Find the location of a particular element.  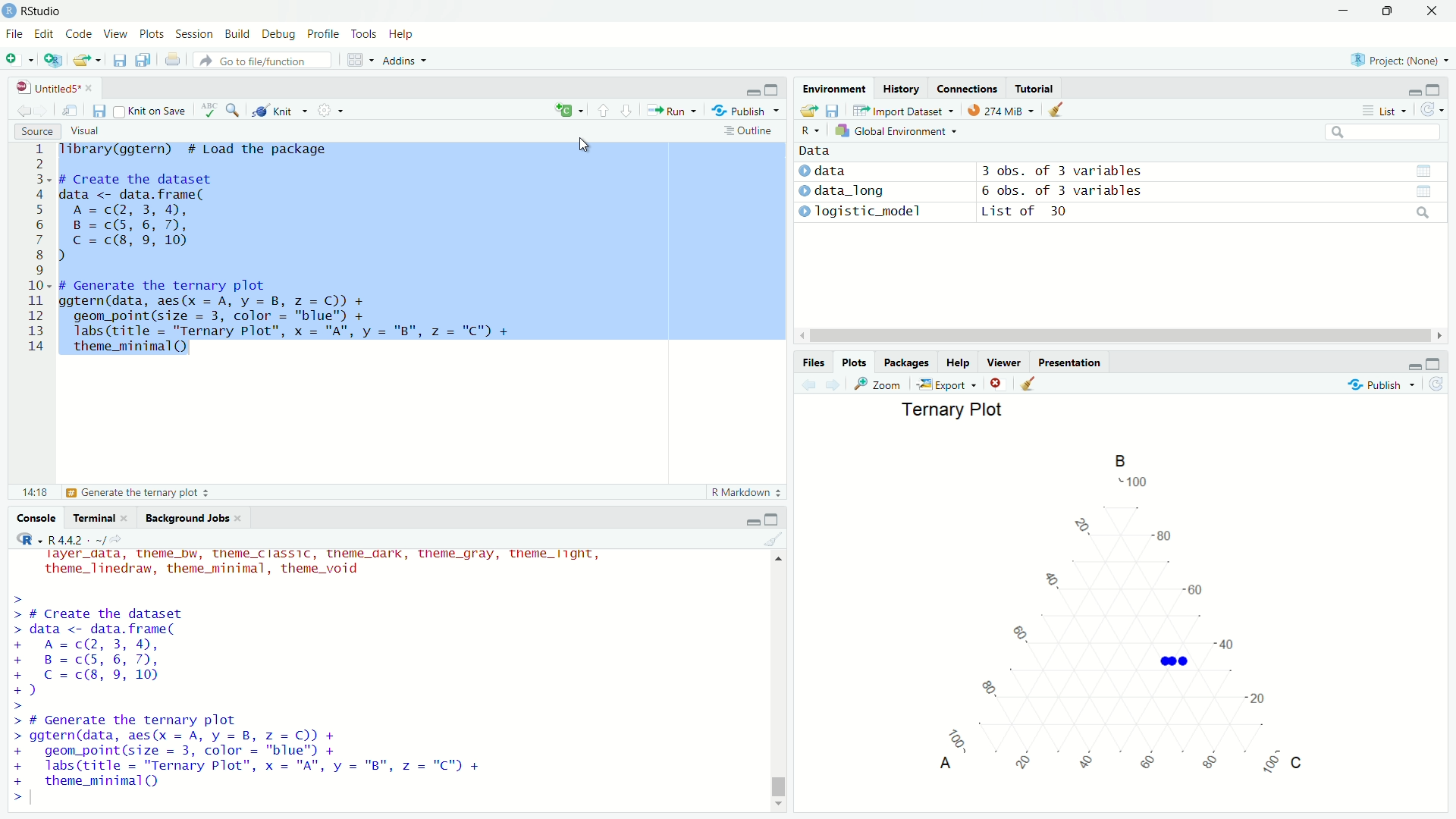

Tools is located at coordinates (363, 33).